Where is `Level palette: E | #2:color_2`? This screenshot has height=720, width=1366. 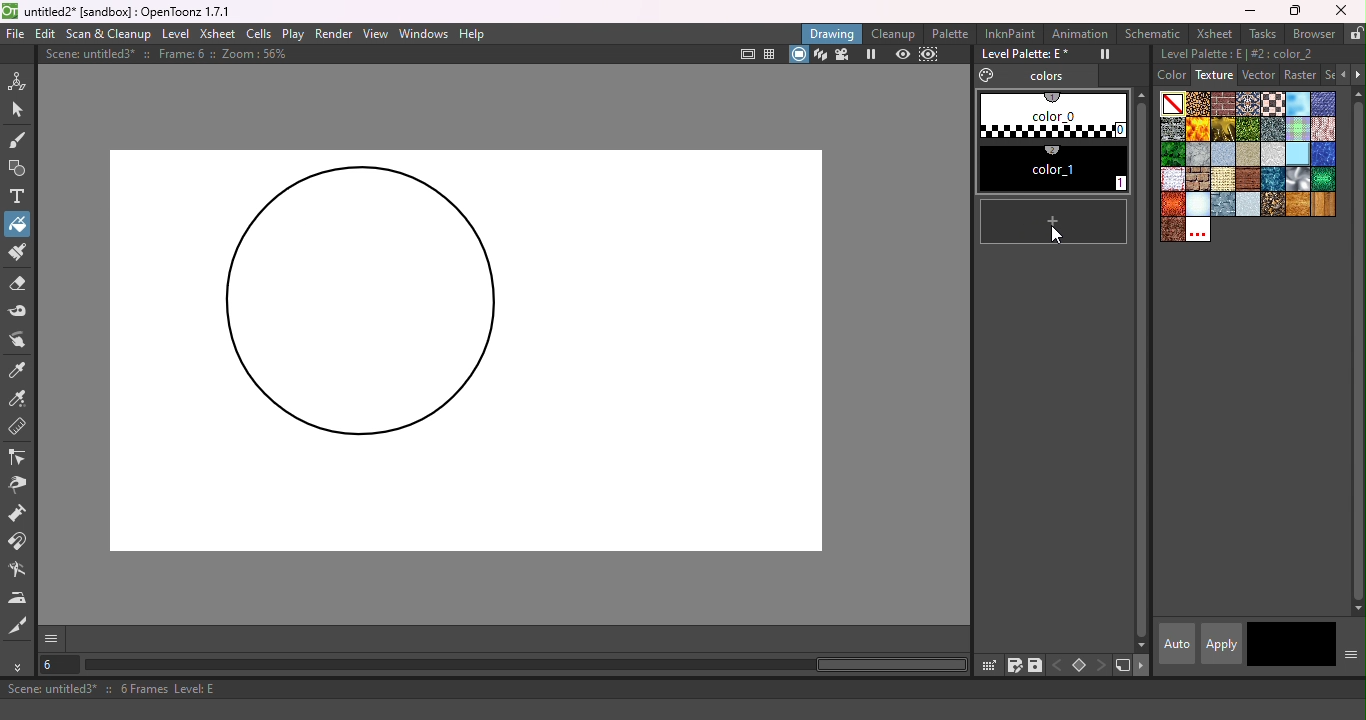 Level palette: E | #2:color_2 is located at coordinates (1257, 54).